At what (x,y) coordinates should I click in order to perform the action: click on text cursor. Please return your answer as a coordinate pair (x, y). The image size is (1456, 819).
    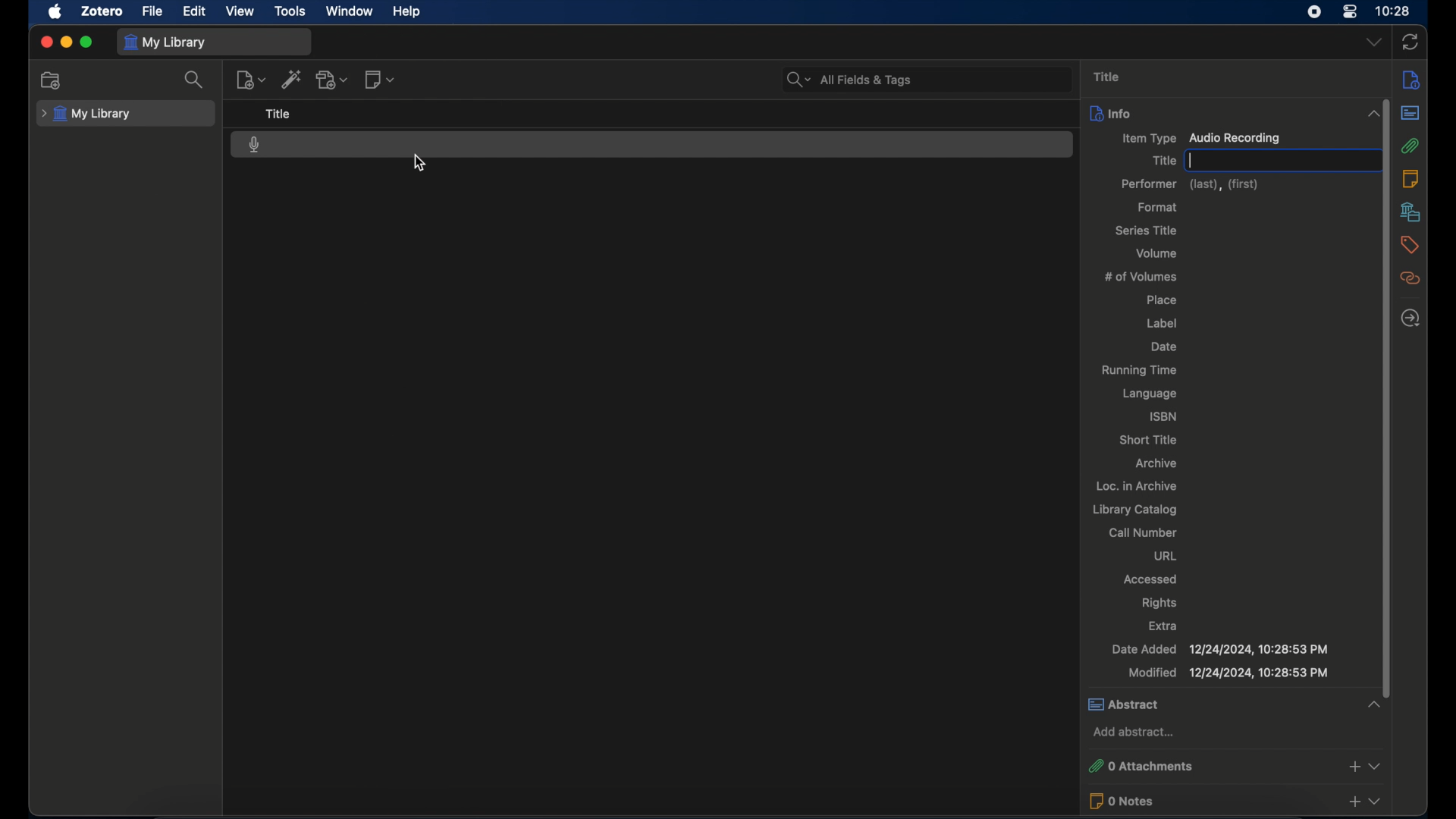
    Looking at the image, I should click on (1191, 159).